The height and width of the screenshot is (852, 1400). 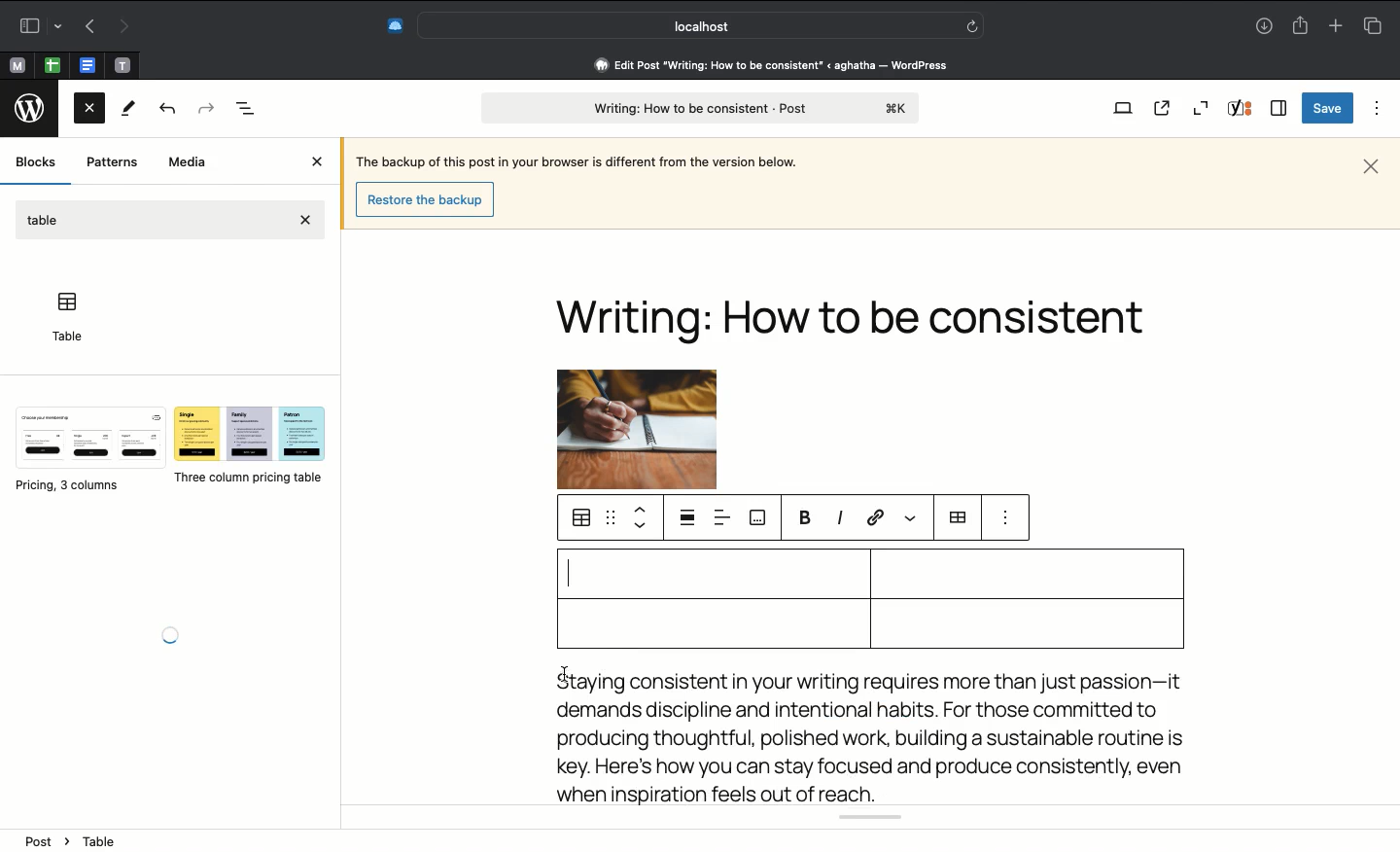 What do you see at coordinates (911, 519) in the screenshot?
I see `more` at bounding box center [911, 519].